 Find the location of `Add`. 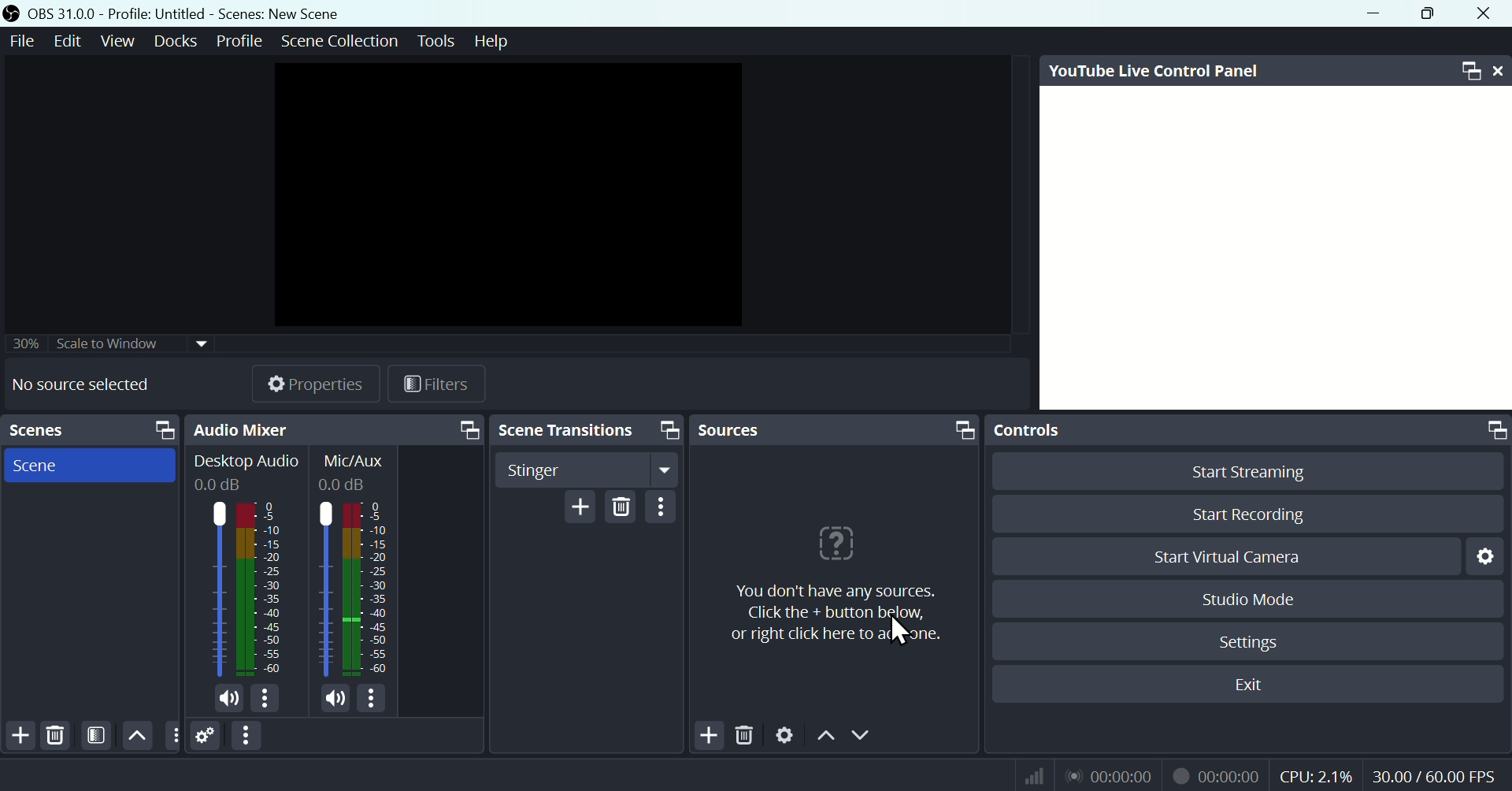

Add is located at coordinates (707, 733).